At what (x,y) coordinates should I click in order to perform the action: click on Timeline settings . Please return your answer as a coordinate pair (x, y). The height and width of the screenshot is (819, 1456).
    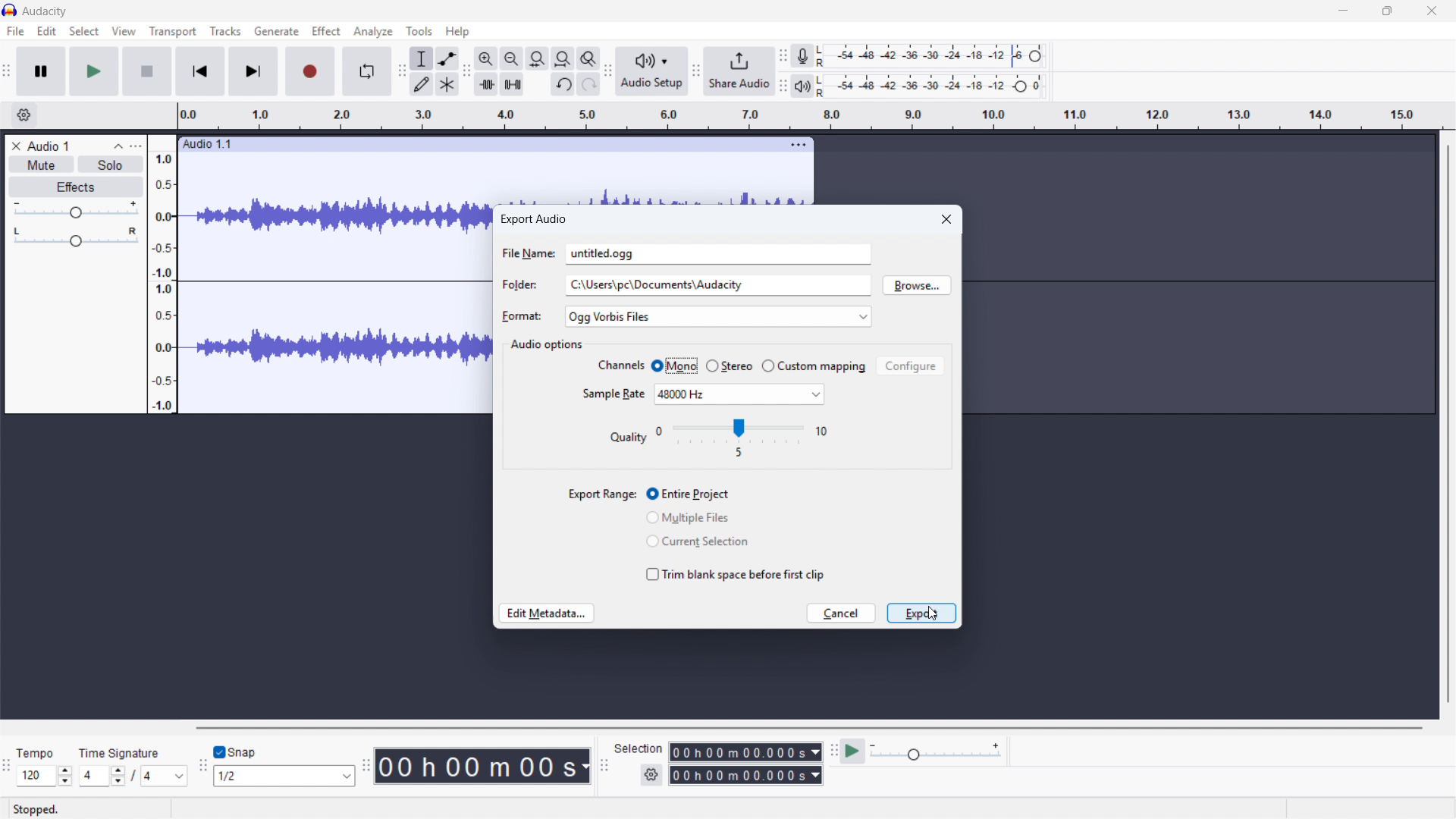
    Looking at the image, I should click on (22, 115).